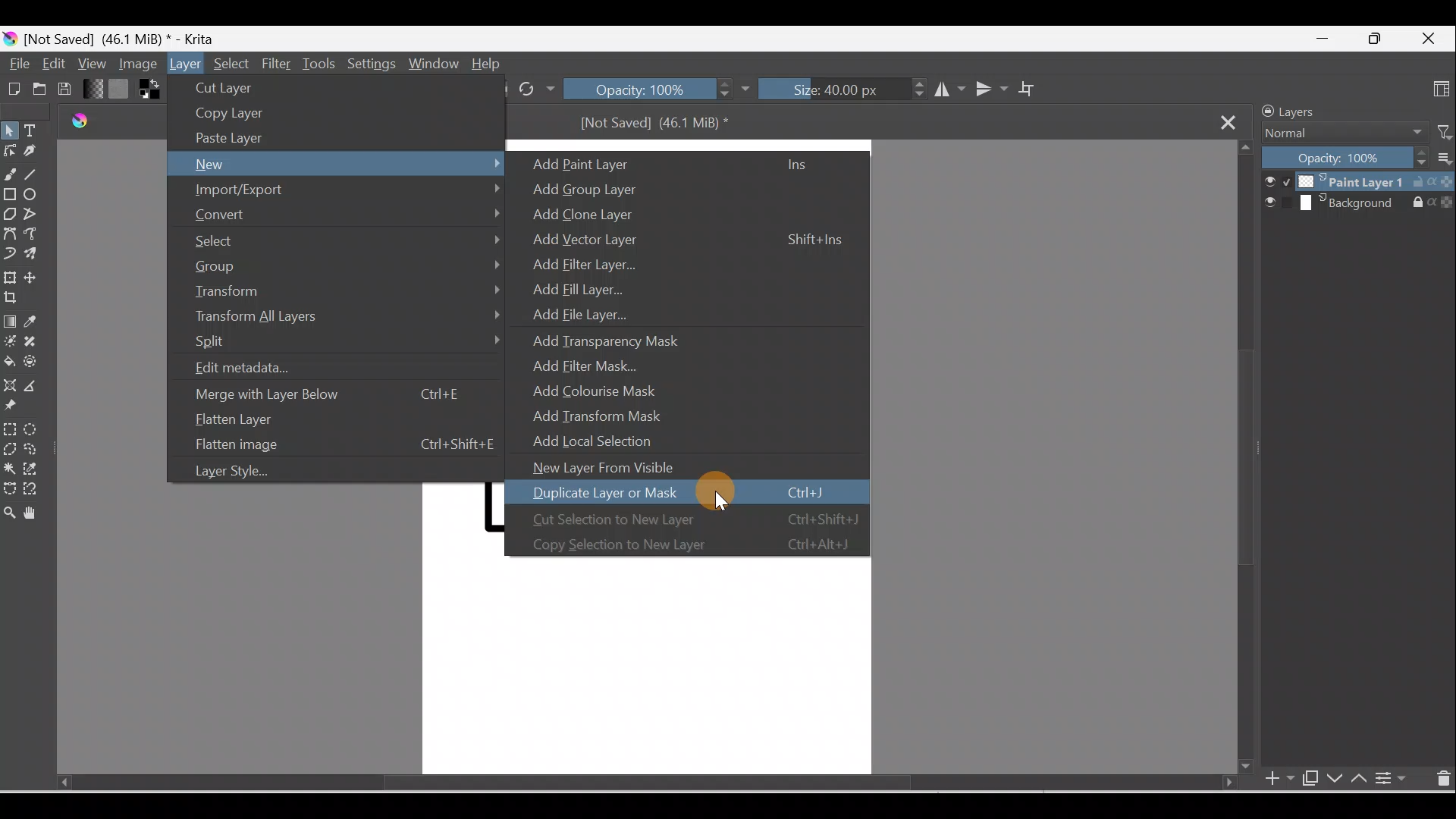 The image size is (1456, 819). What do you see at coordinates (1335, 780) in the screenshot?
I see `Move layer/mask down` at bounding box center [1335, 780].